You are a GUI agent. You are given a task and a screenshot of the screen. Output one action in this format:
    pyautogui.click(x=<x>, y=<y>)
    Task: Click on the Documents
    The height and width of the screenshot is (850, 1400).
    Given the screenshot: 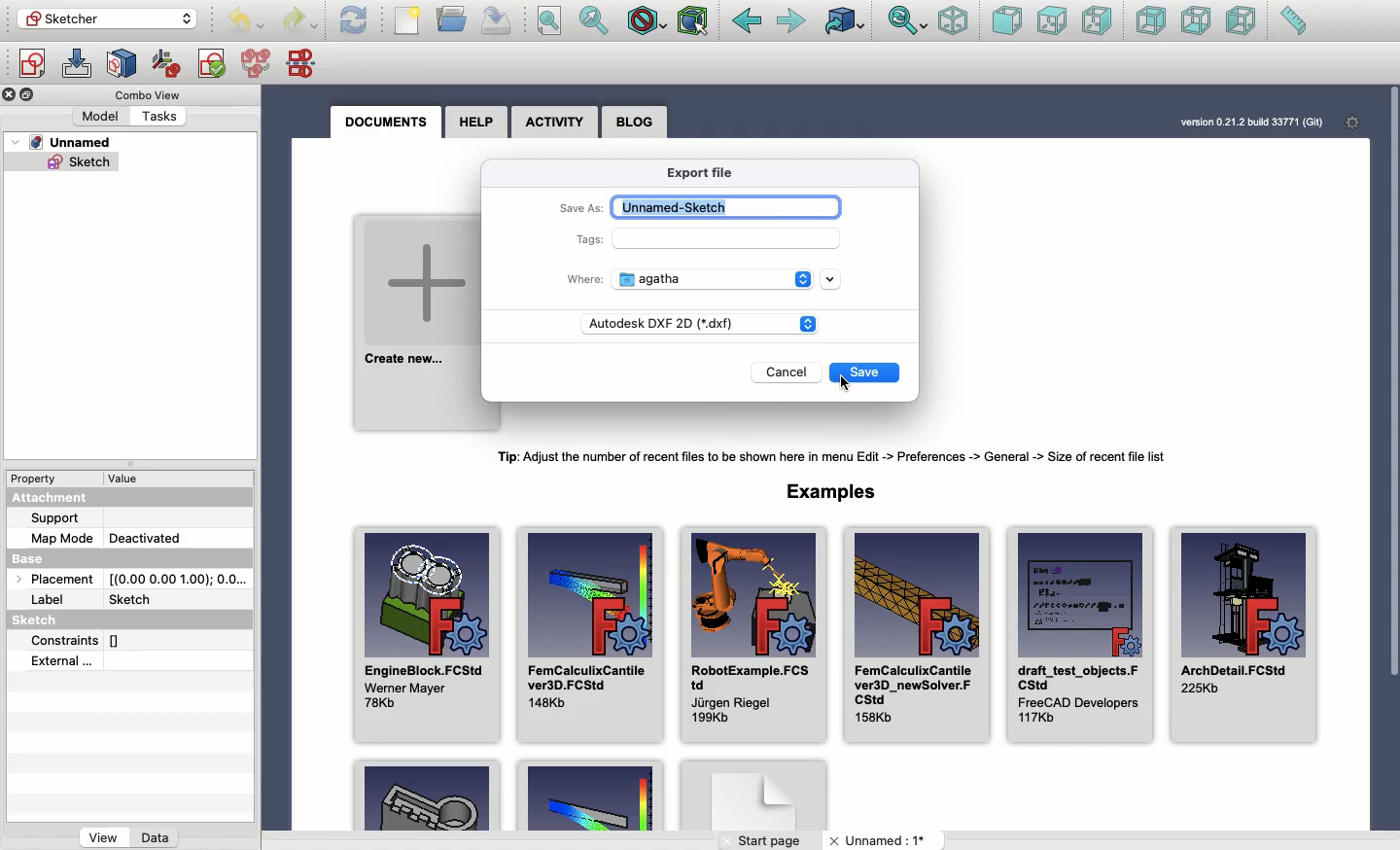 What is the action you would take?
    pyautogui.click(x=384, y=122)
    